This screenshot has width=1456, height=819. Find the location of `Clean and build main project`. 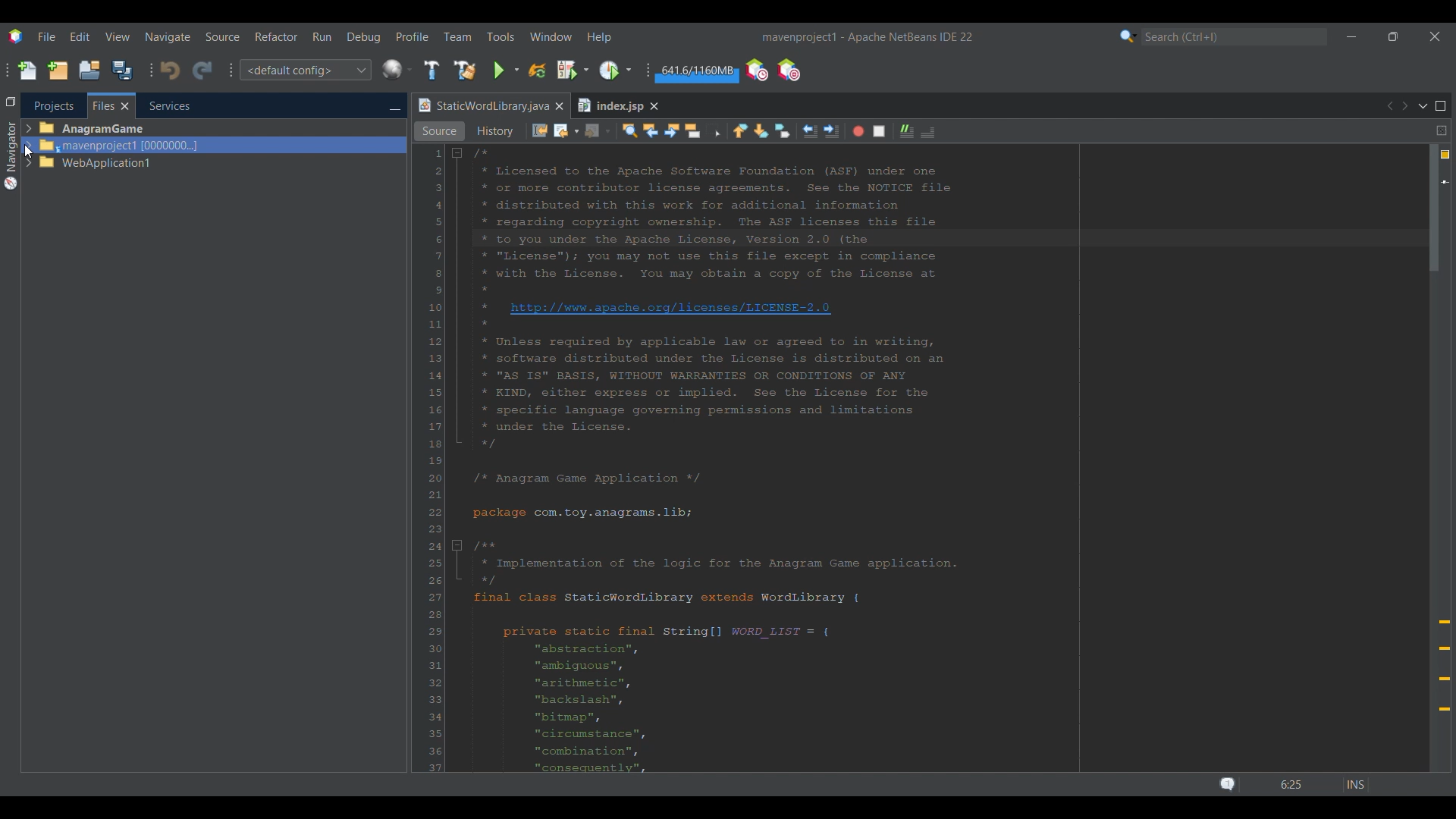

Clean and build main project is located at coordinates (465, 71).